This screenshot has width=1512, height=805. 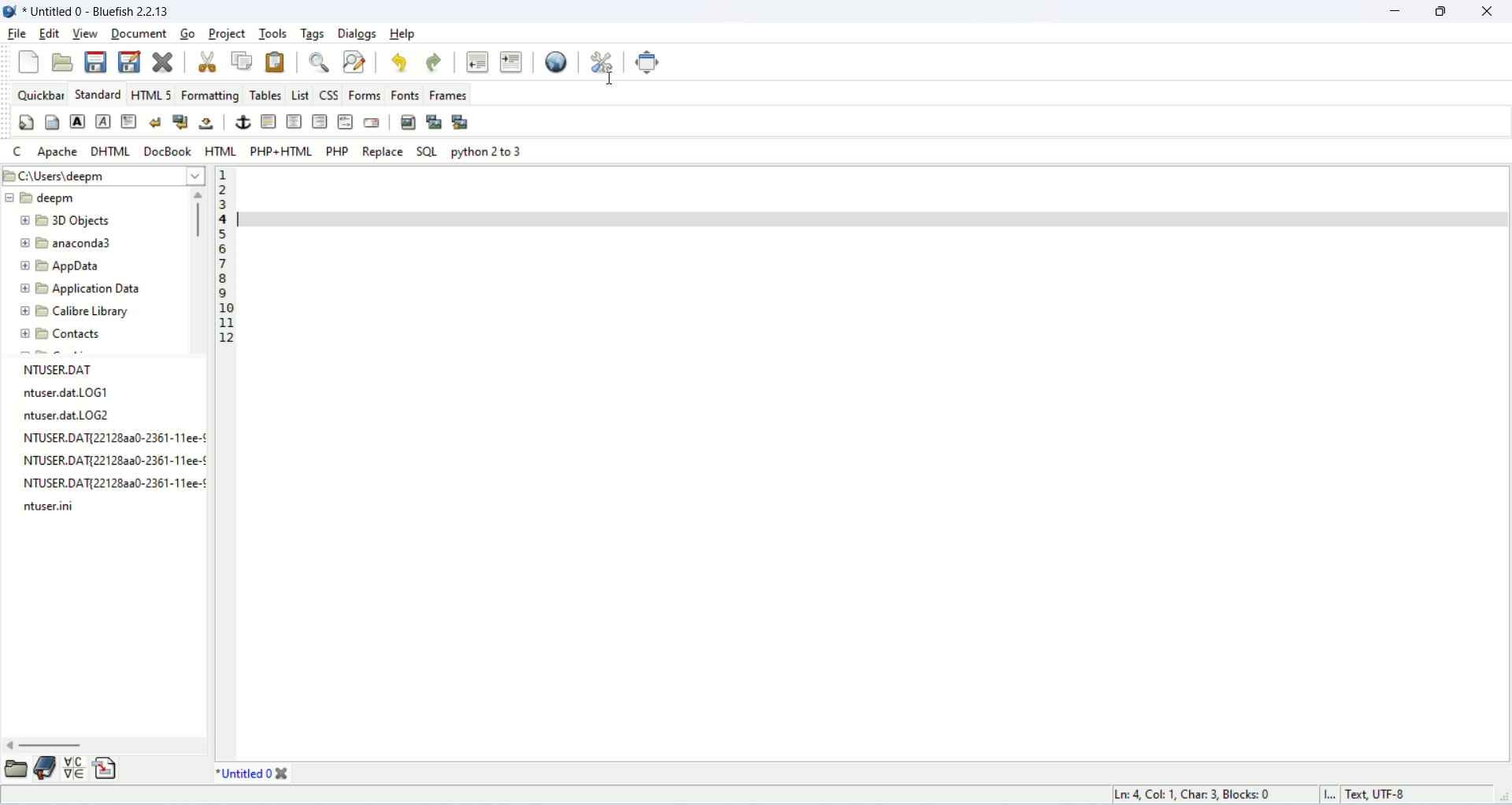 What do you see at coordinates (320, 61) in the screenshot?
I see `show find bar` at bounding box center [320, 61].